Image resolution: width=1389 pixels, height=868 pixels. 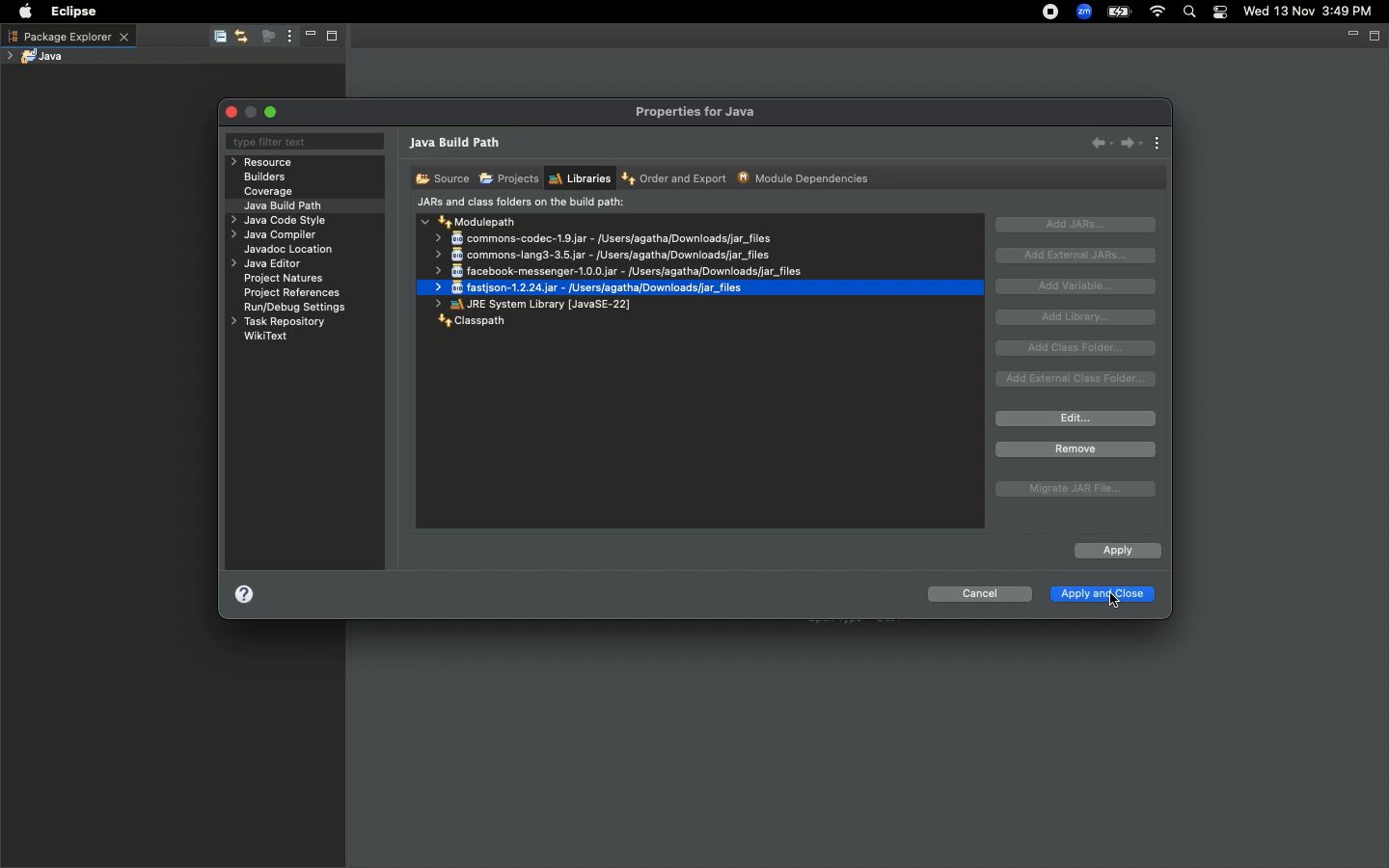 I want to click on View menu, so click(x=1158, y=145).